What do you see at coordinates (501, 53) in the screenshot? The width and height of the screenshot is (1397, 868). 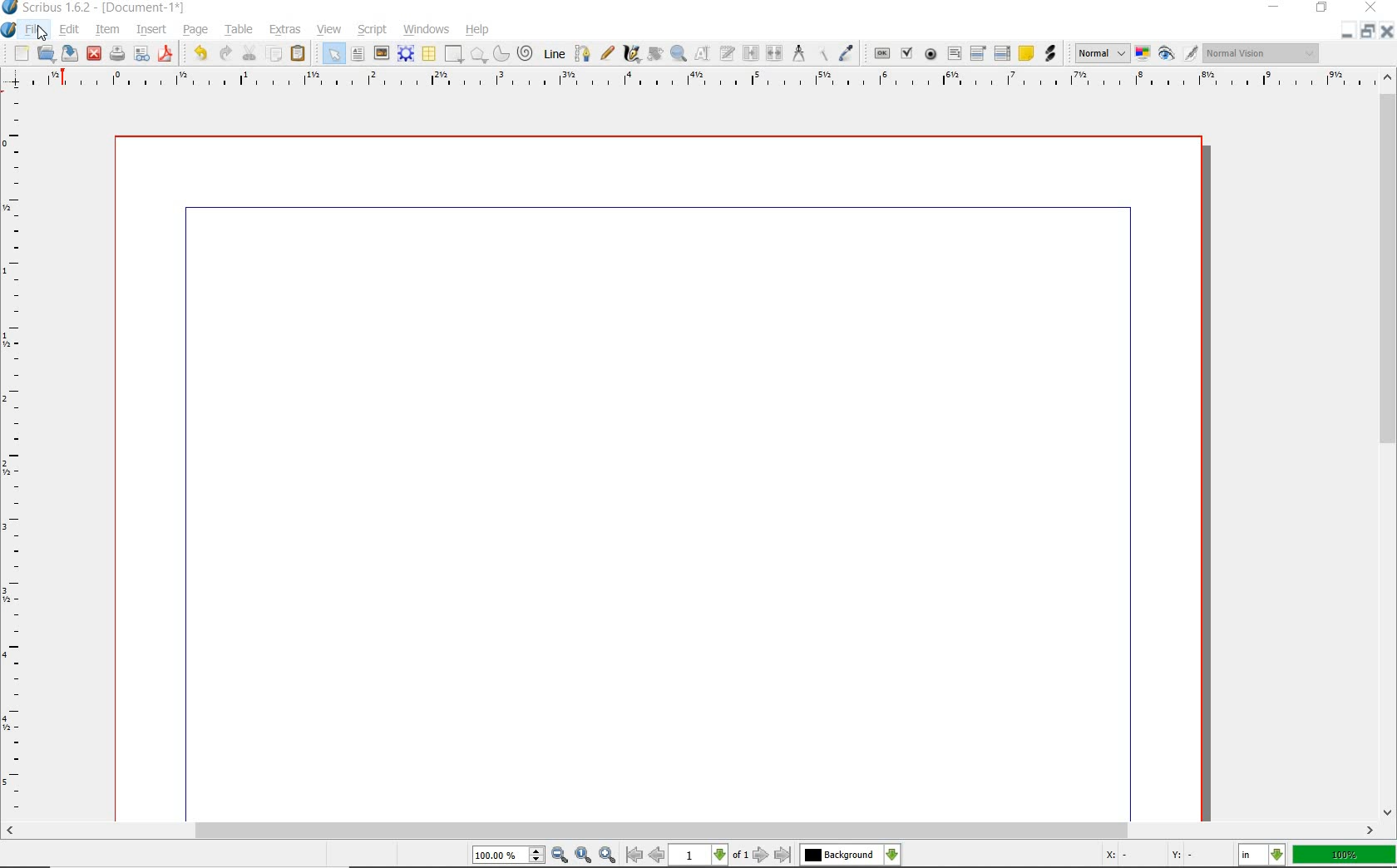 I see `arc` at bounding box center [501, 53].